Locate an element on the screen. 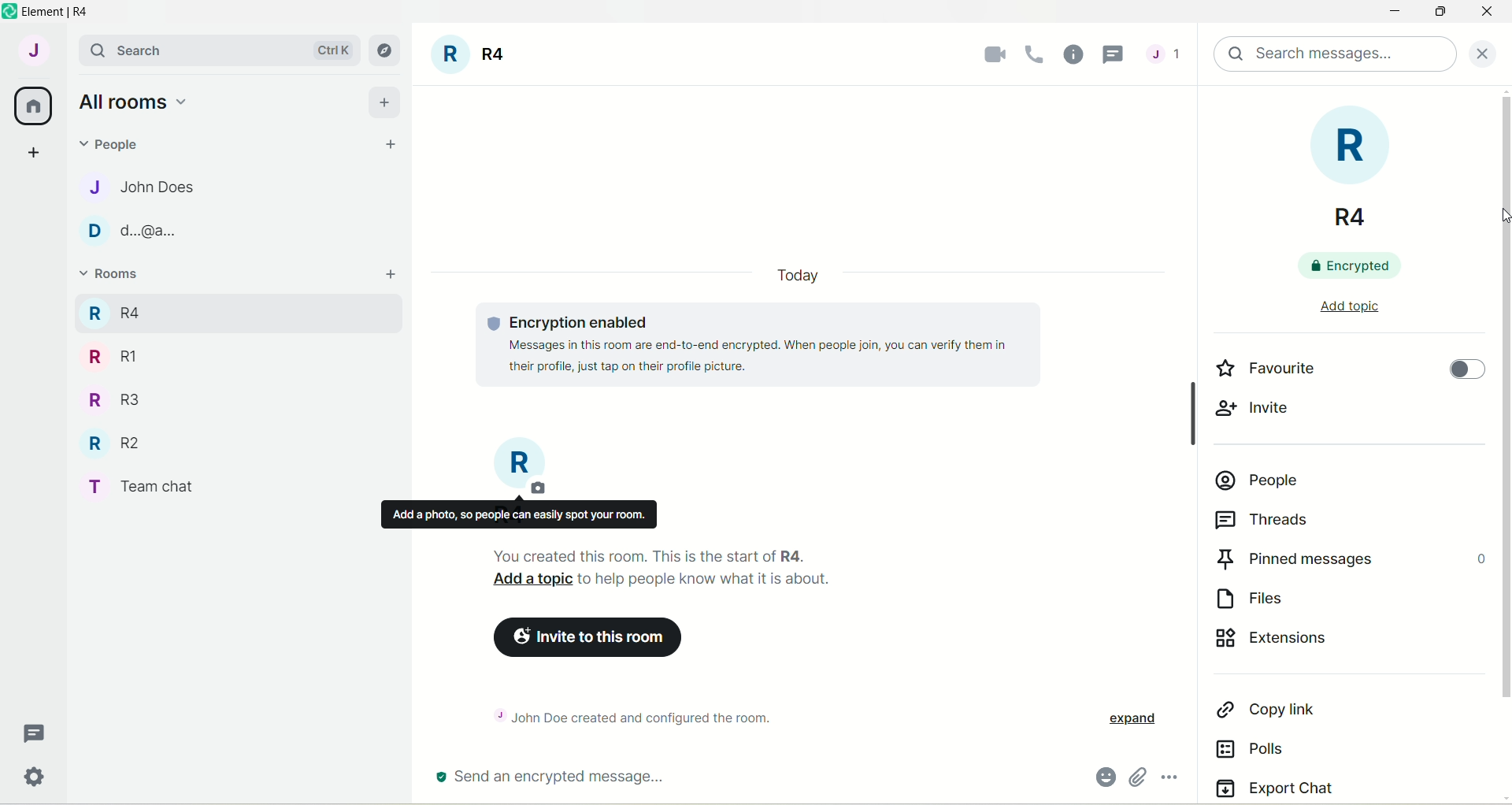 This screenshot has height=805, width=1512. all rooms is located at coordinates (34, 106).